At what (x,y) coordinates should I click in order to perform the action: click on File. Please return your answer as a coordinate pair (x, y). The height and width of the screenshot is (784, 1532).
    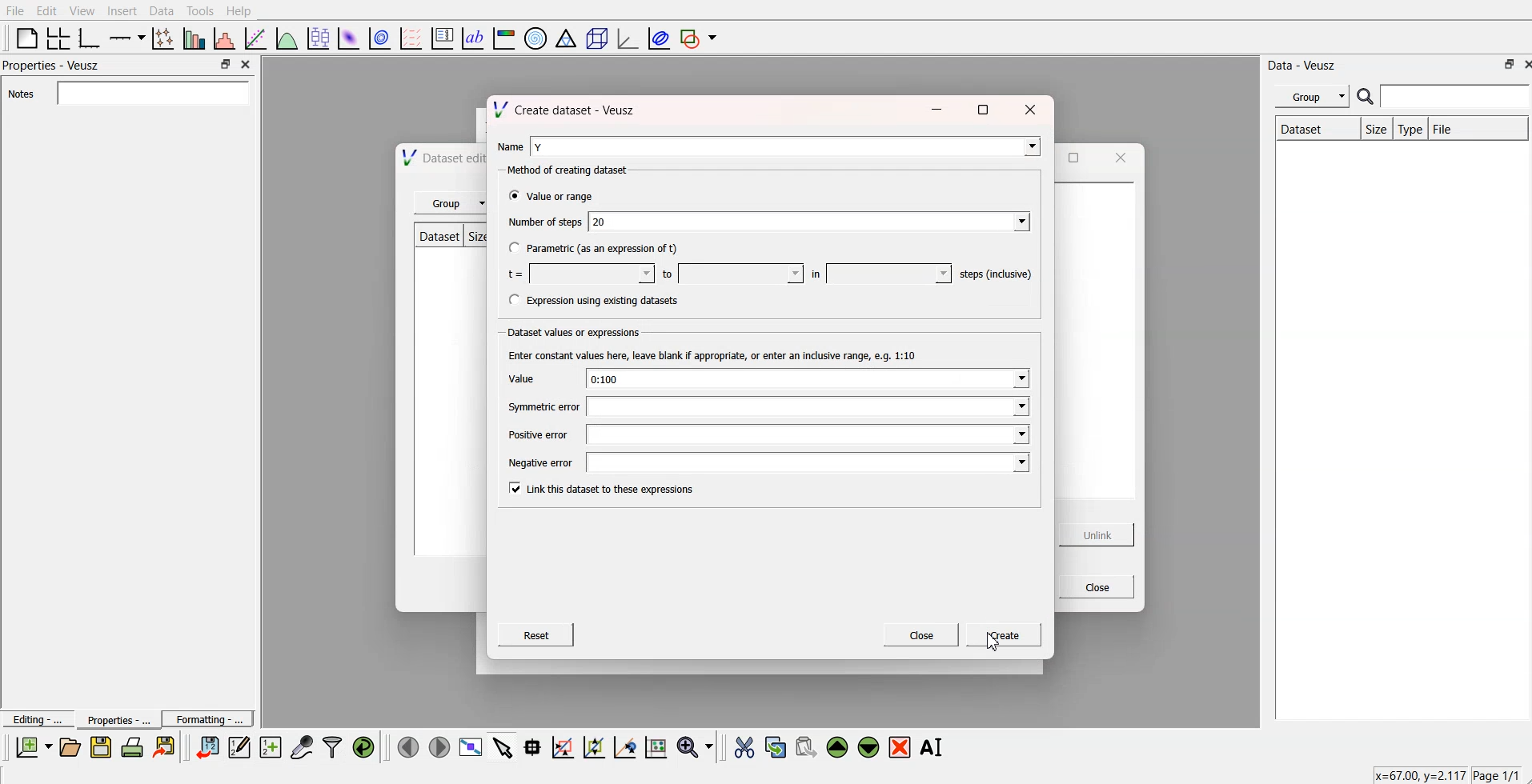
    Looking at the image, I should click on (15, 11).